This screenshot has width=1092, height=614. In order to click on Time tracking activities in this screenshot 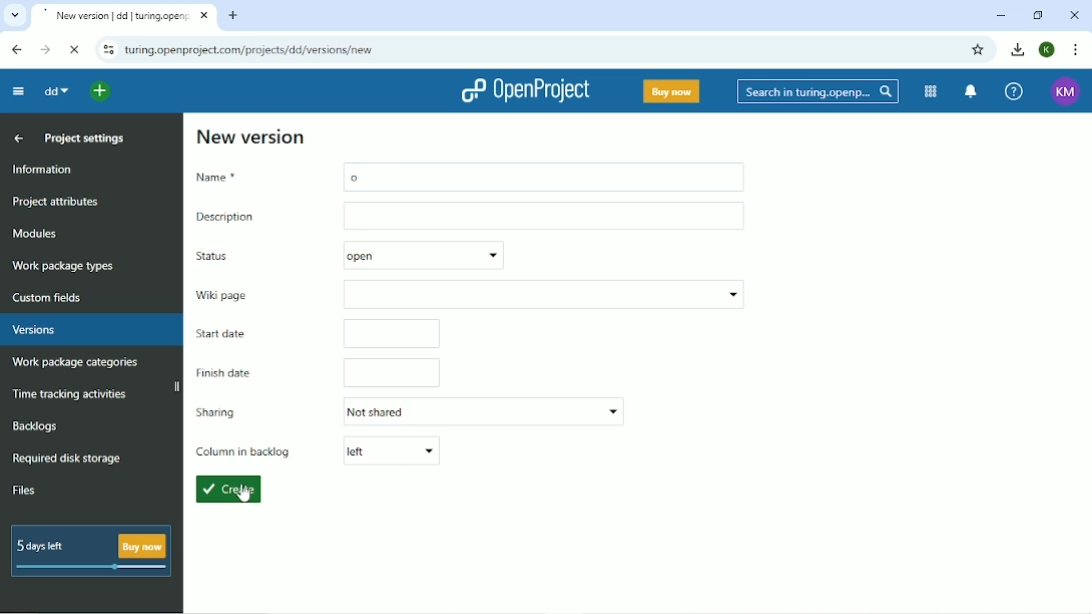, I will do `click(70, 393)`.